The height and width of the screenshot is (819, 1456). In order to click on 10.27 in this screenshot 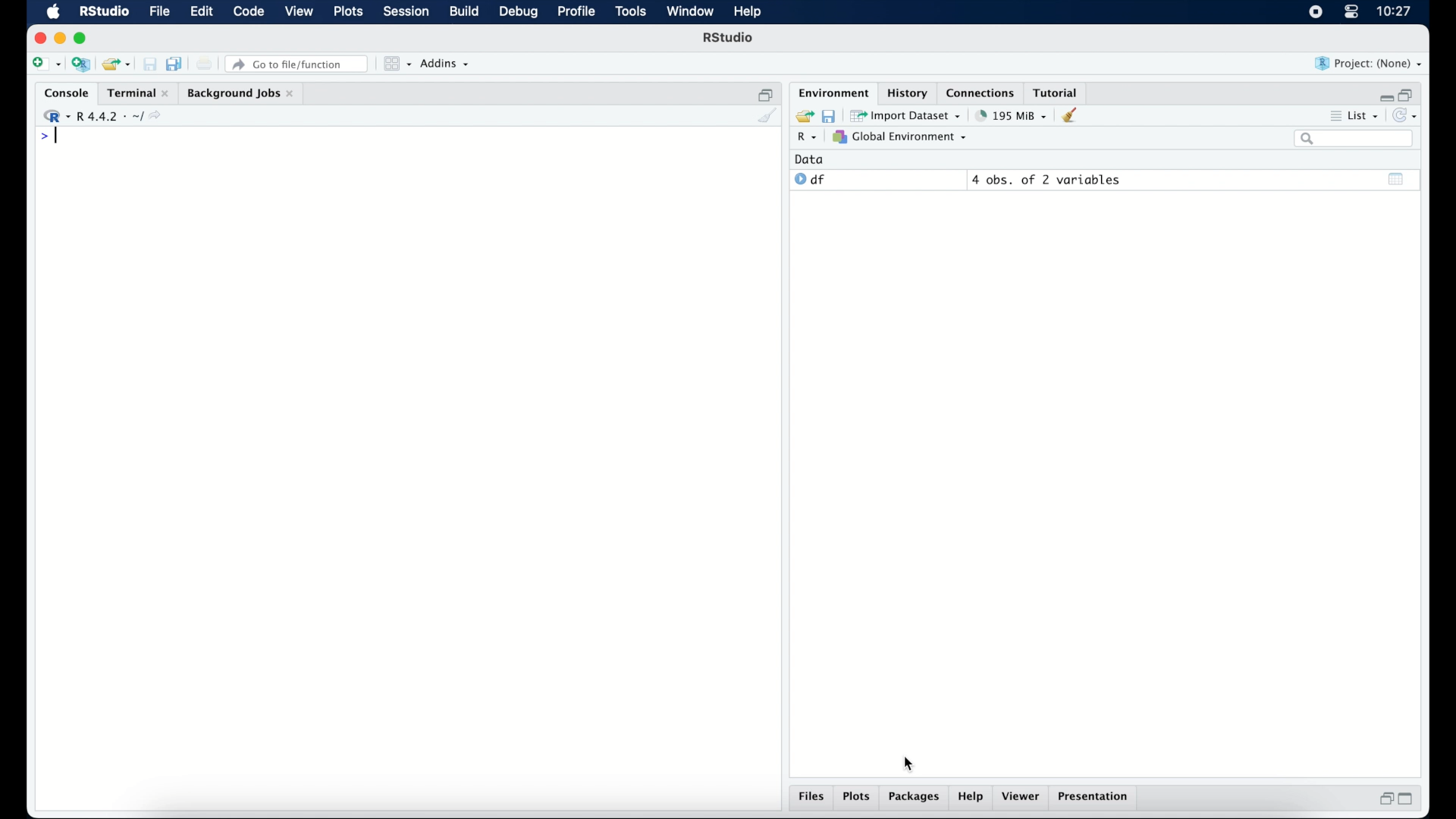, I will do `click(1394, 11)`.